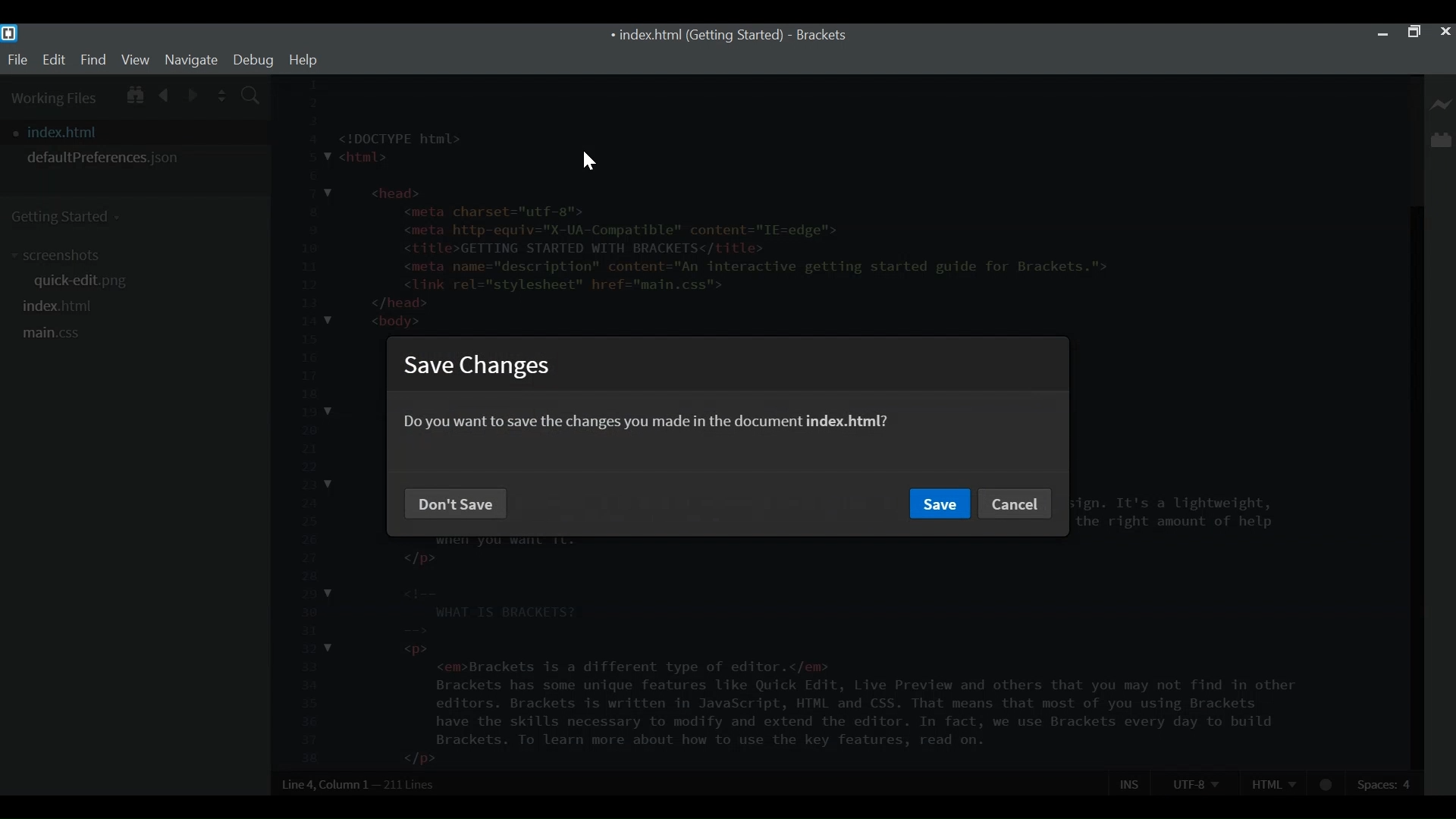 This screenshot has height=819, width=1456. What do you see at coordinates (1442, 105) in the screenshot?
I see `Live Preview` at bounding box center [1442, 105].